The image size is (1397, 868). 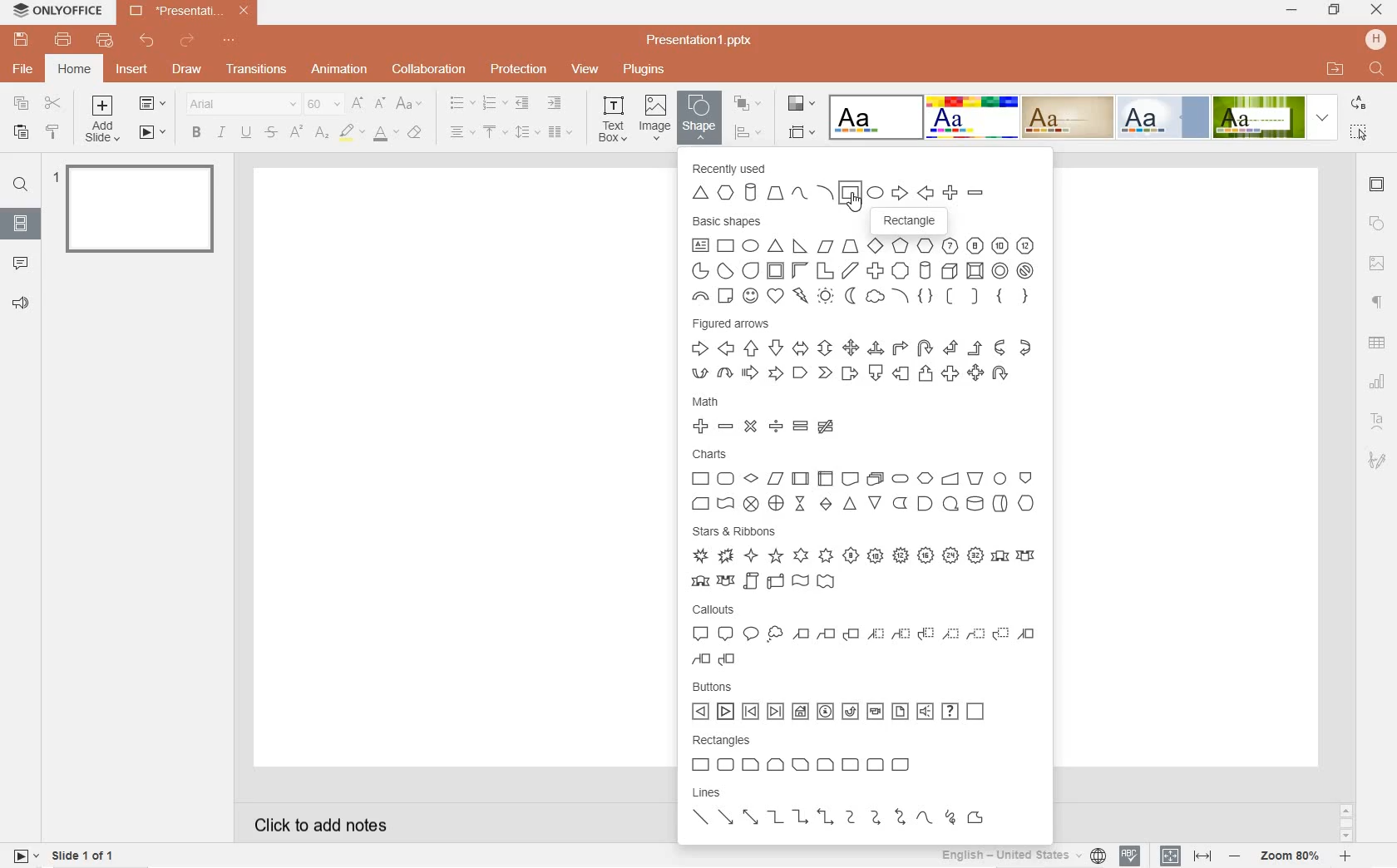 I want to click on Sequential Access Storage, so click(x=951, y=505).